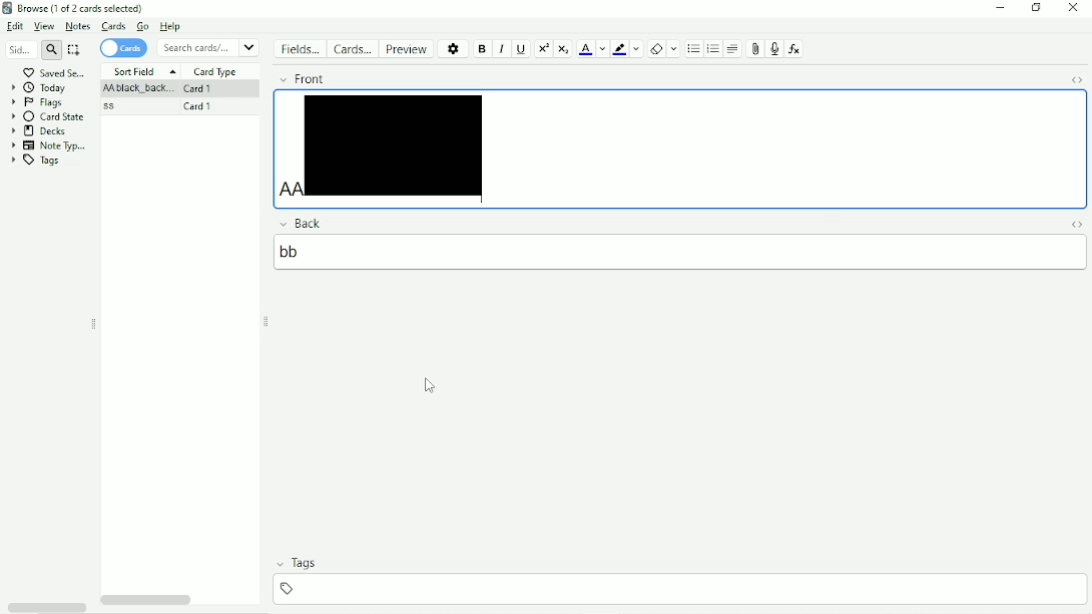 This screenshot has height=614, width=1092. What do you see at coordinates (39, 102) in the screenshot?
I see `Flags` at bounding box center [39, 102].